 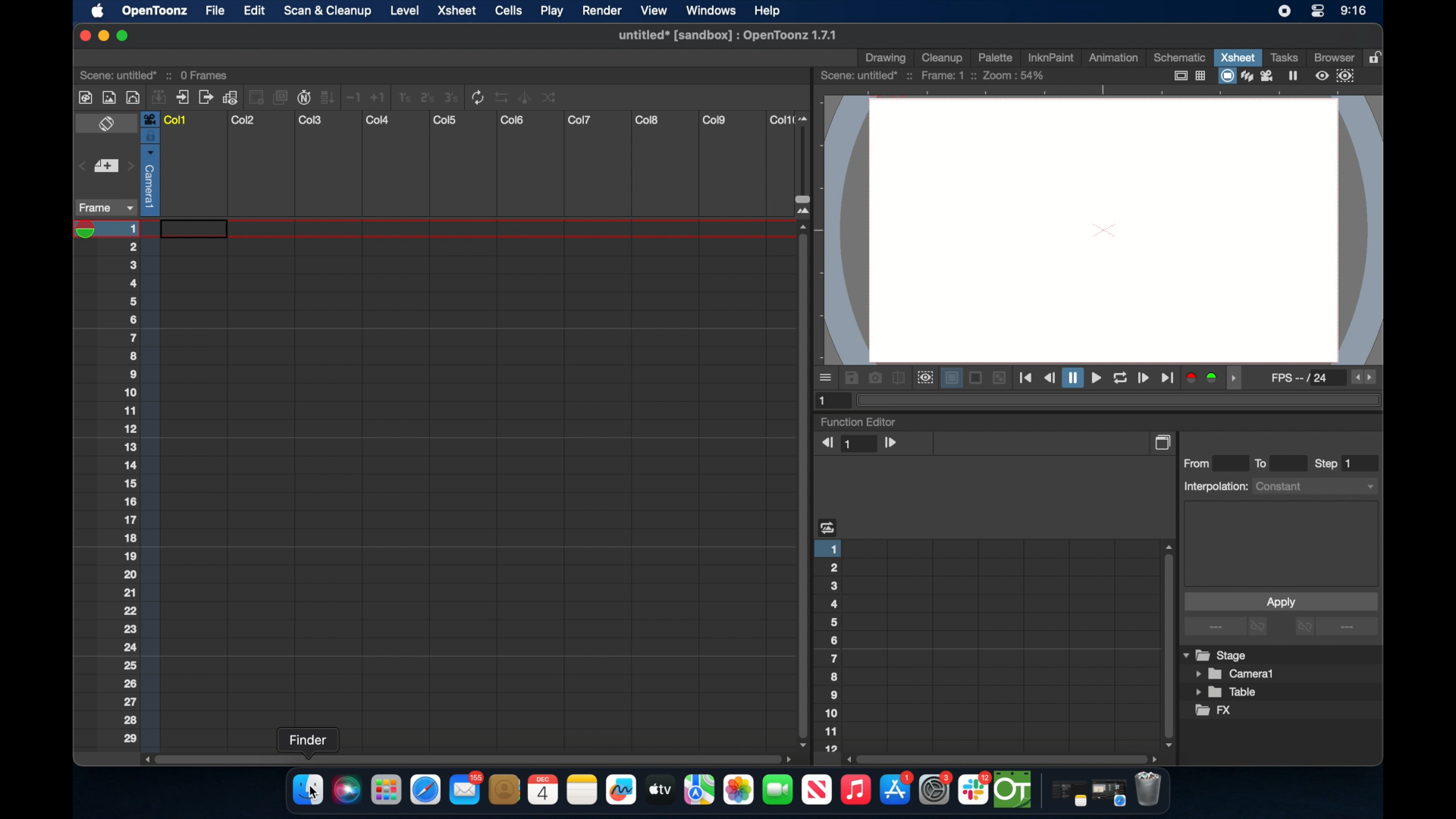 What do you see at coordinates (1266, 463) in the screenshot?
I see `to` at bounding box center [1266, 463].